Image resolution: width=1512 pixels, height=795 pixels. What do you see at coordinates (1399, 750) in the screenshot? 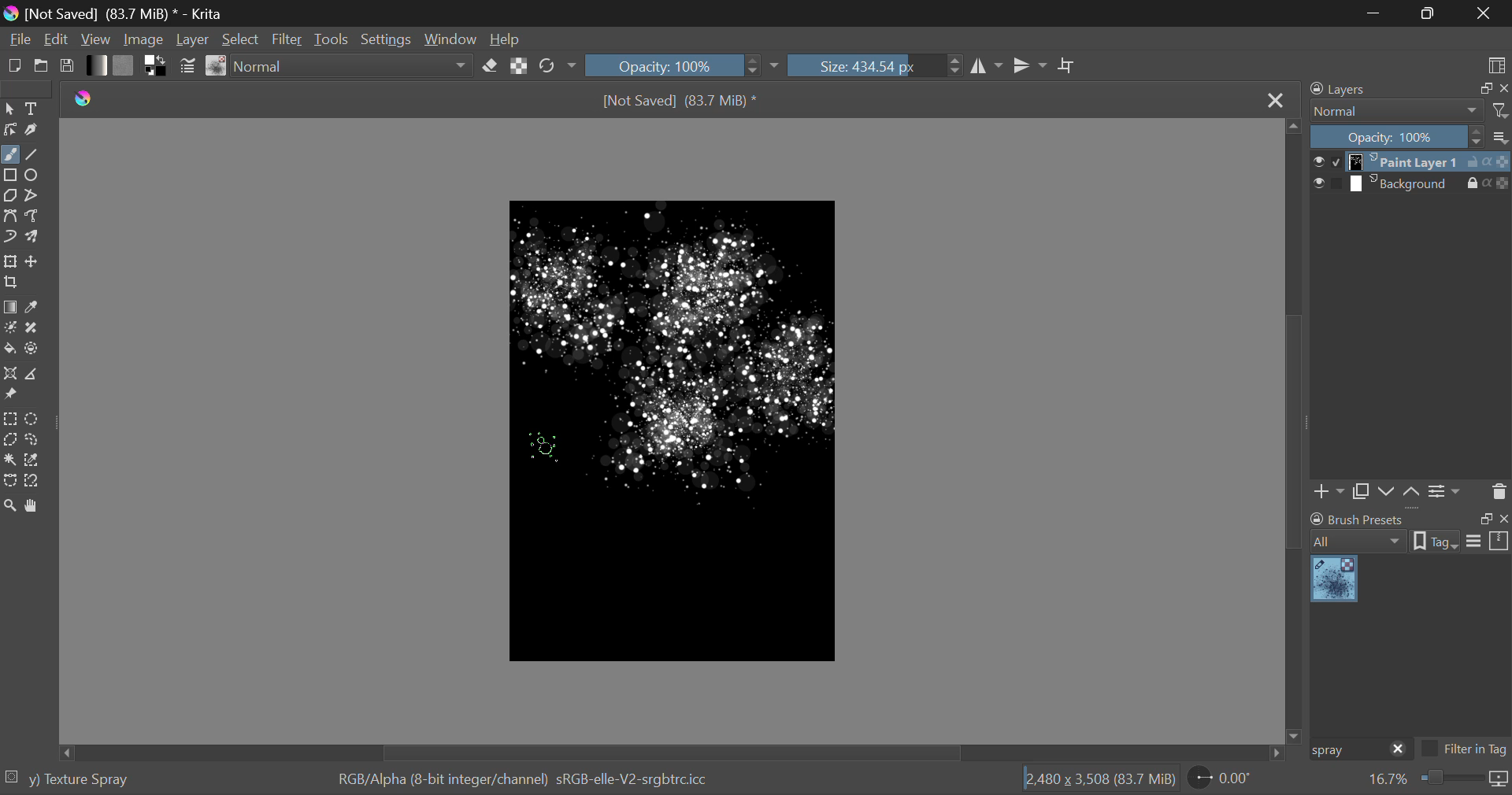
I see `close` at bounding box center [1399, 750].